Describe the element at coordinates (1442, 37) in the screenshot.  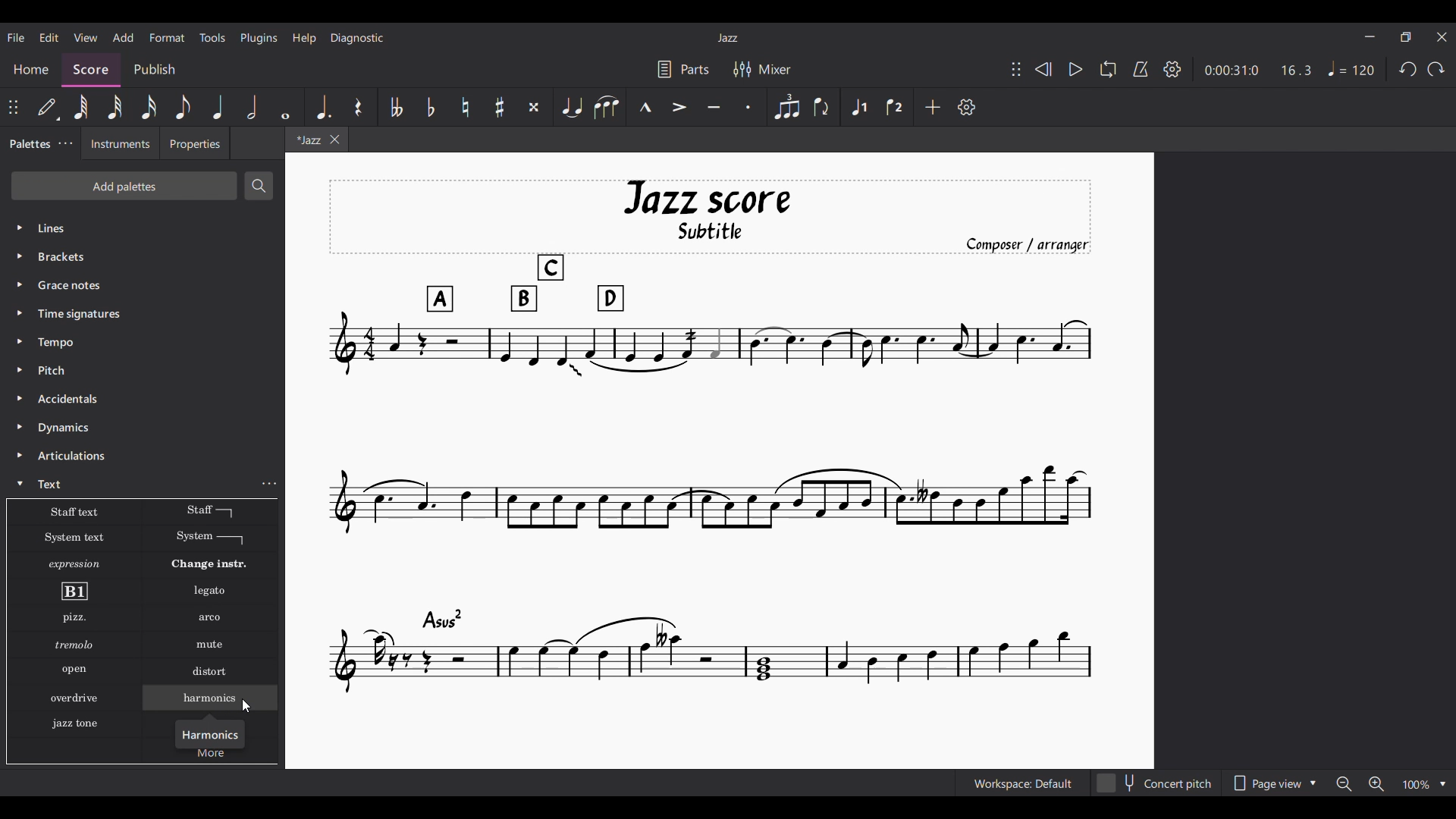
I see `Close interface` at that location.